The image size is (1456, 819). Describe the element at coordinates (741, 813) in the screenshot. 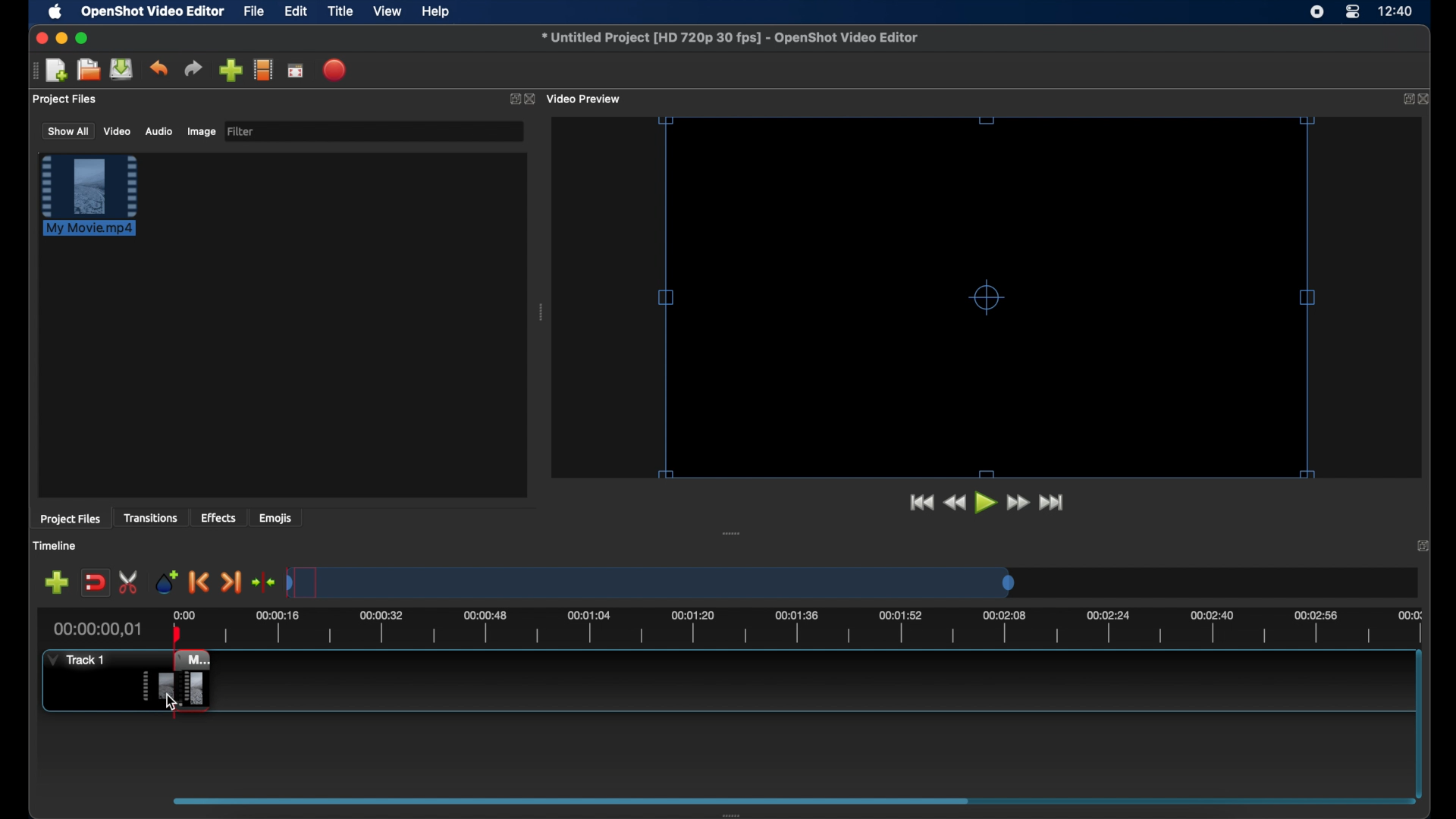

I see `drag handle ` at that location.